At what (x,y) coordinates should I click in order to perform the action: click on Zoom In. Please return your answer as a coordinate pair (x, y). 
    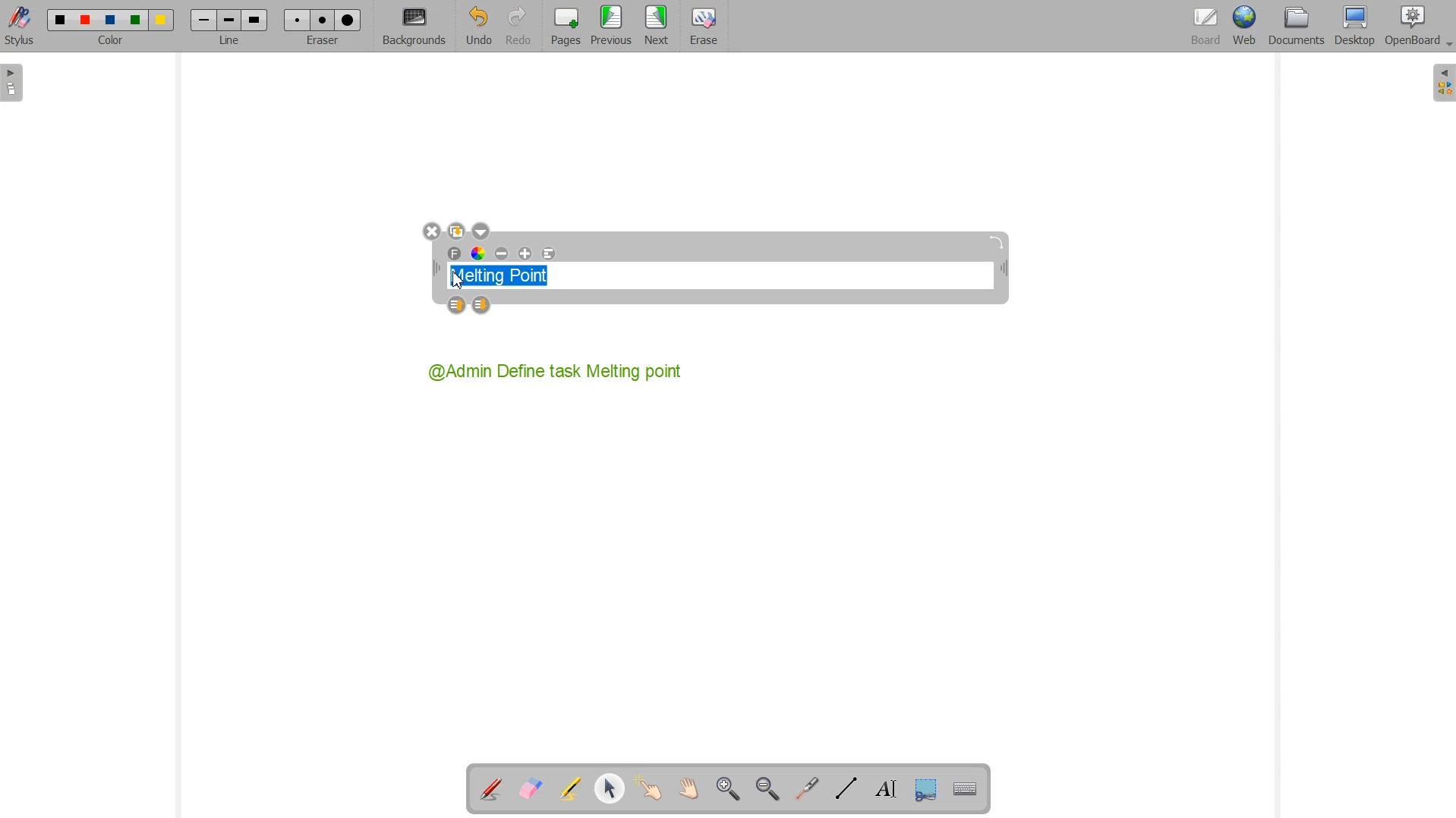
    Looking at the image, I should click on (730, 789).